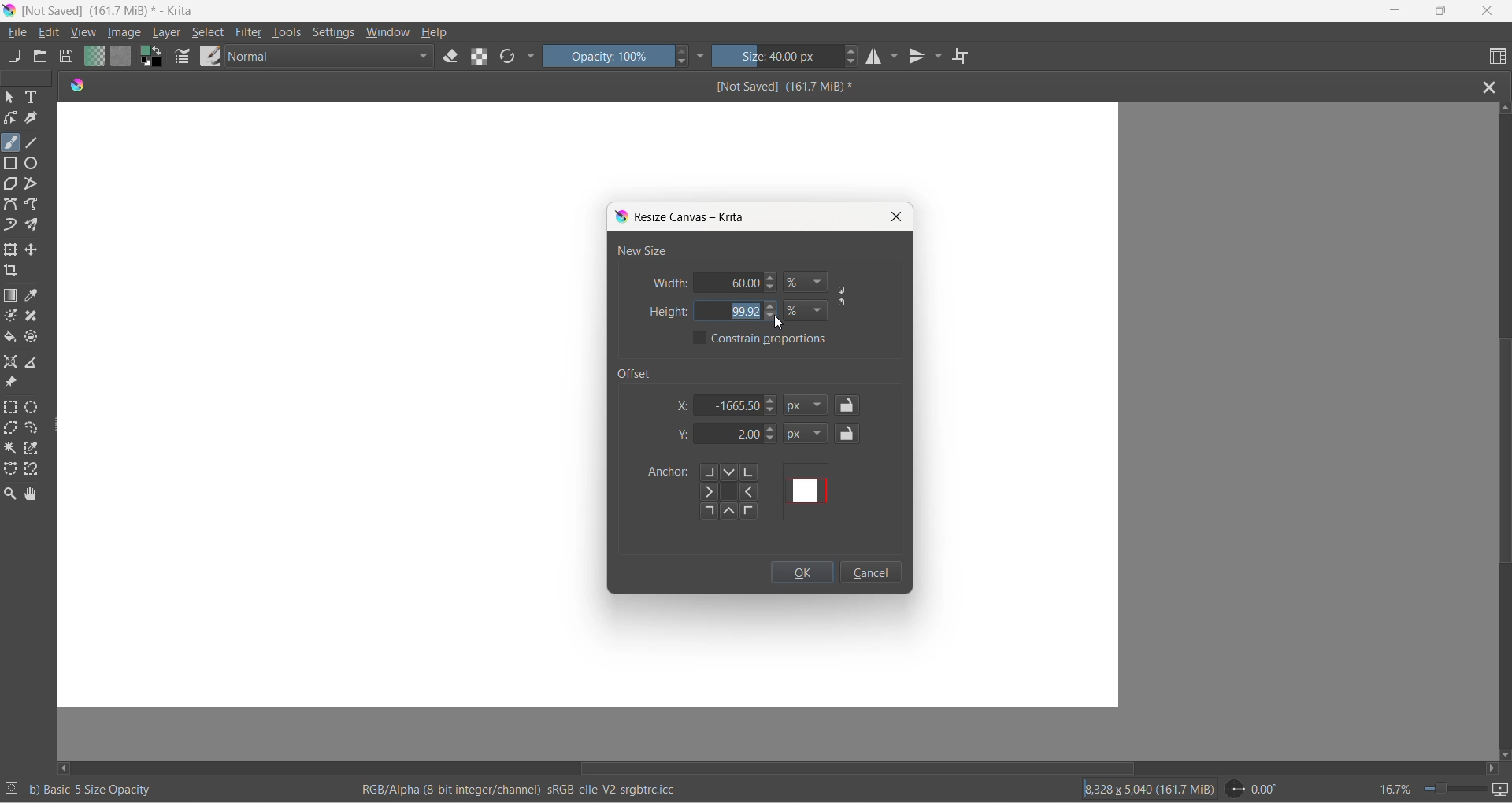  What do you see at coordinates (683, 435) in the screenshot?
I see `` at bounding box center [683, 435].